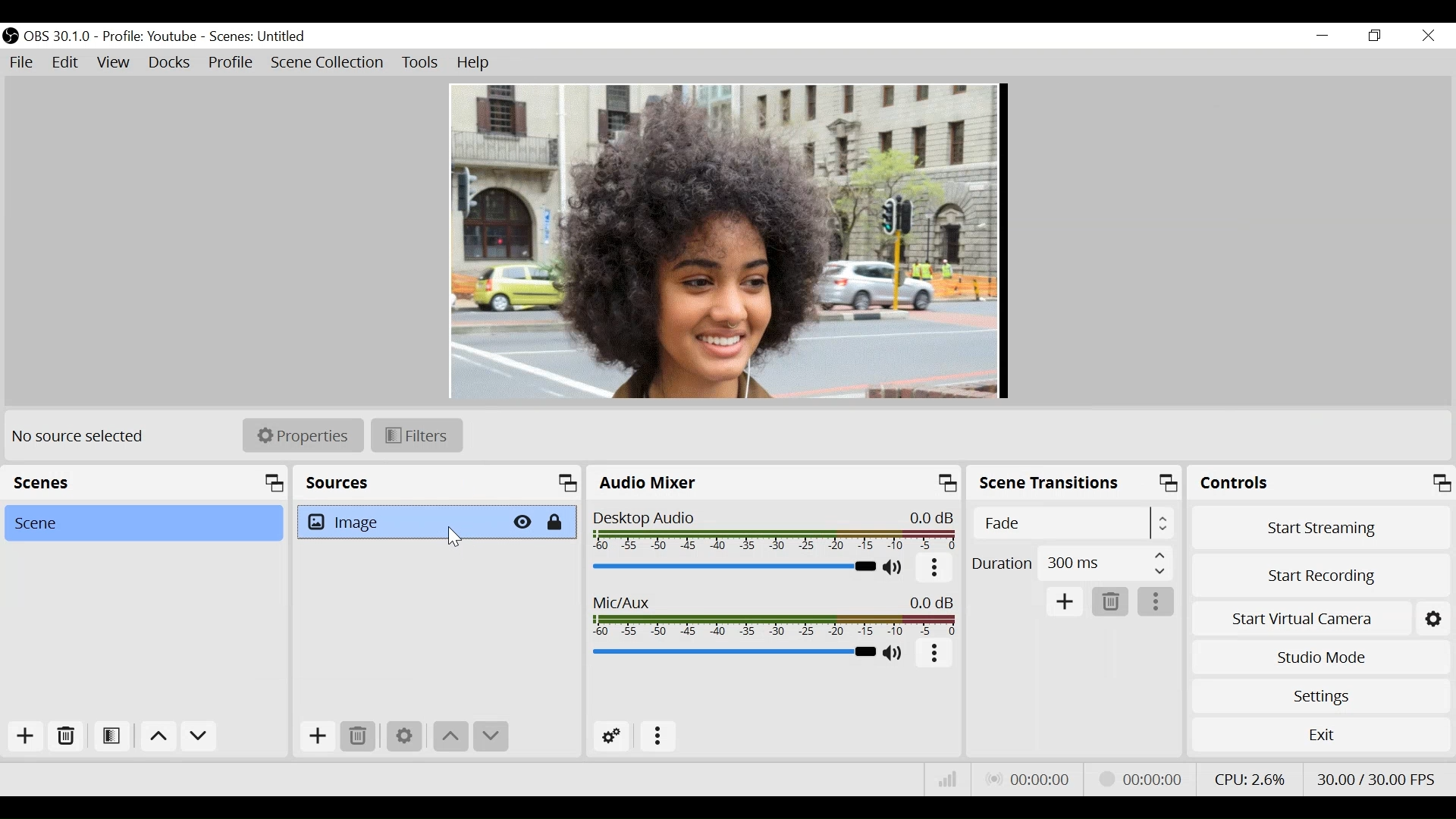 The width and height of the screenshot is (1456, 819). Describe the element at coordinates (774, 531) in the screenshot. I see `Desktop Icon` at that location.